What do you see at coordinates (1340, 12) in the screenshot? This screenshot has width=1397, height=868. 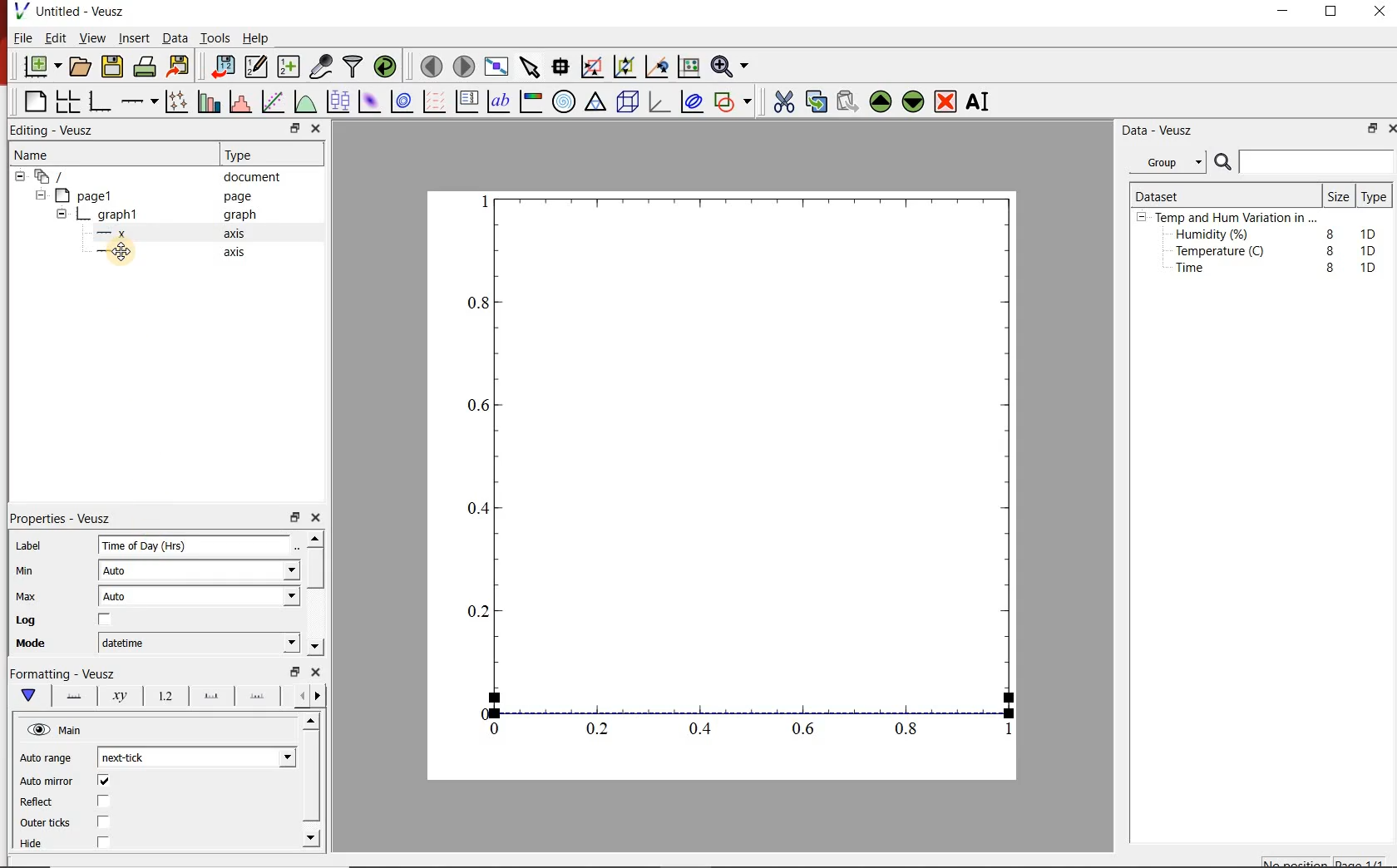 I see `maximize` at bounding box center [1340, 12].